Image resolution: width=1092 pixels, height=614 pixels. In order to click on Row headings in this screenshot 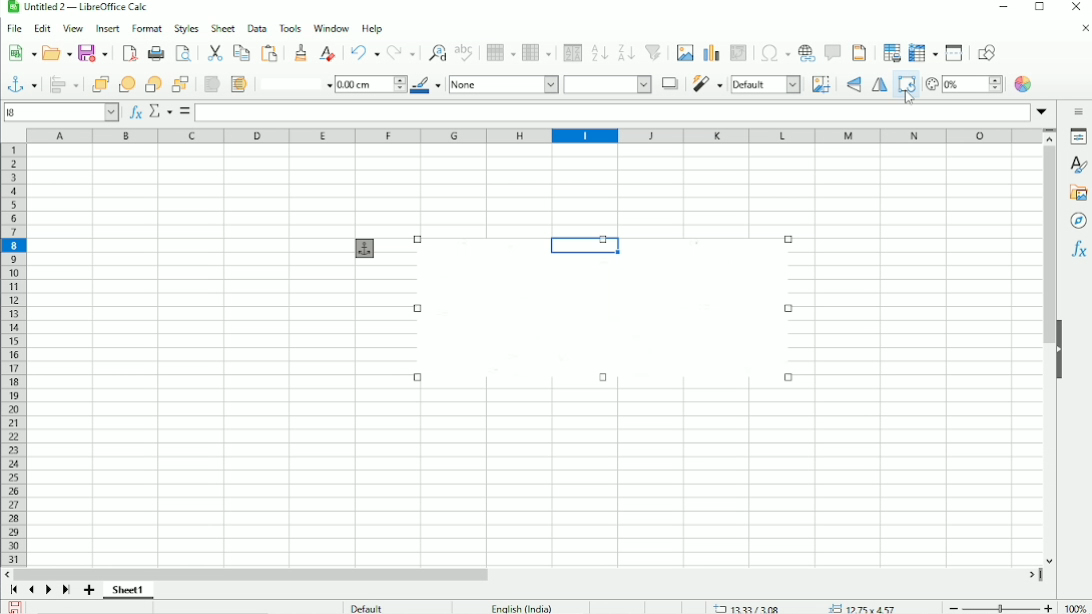, I will do `click(14, 354)`.